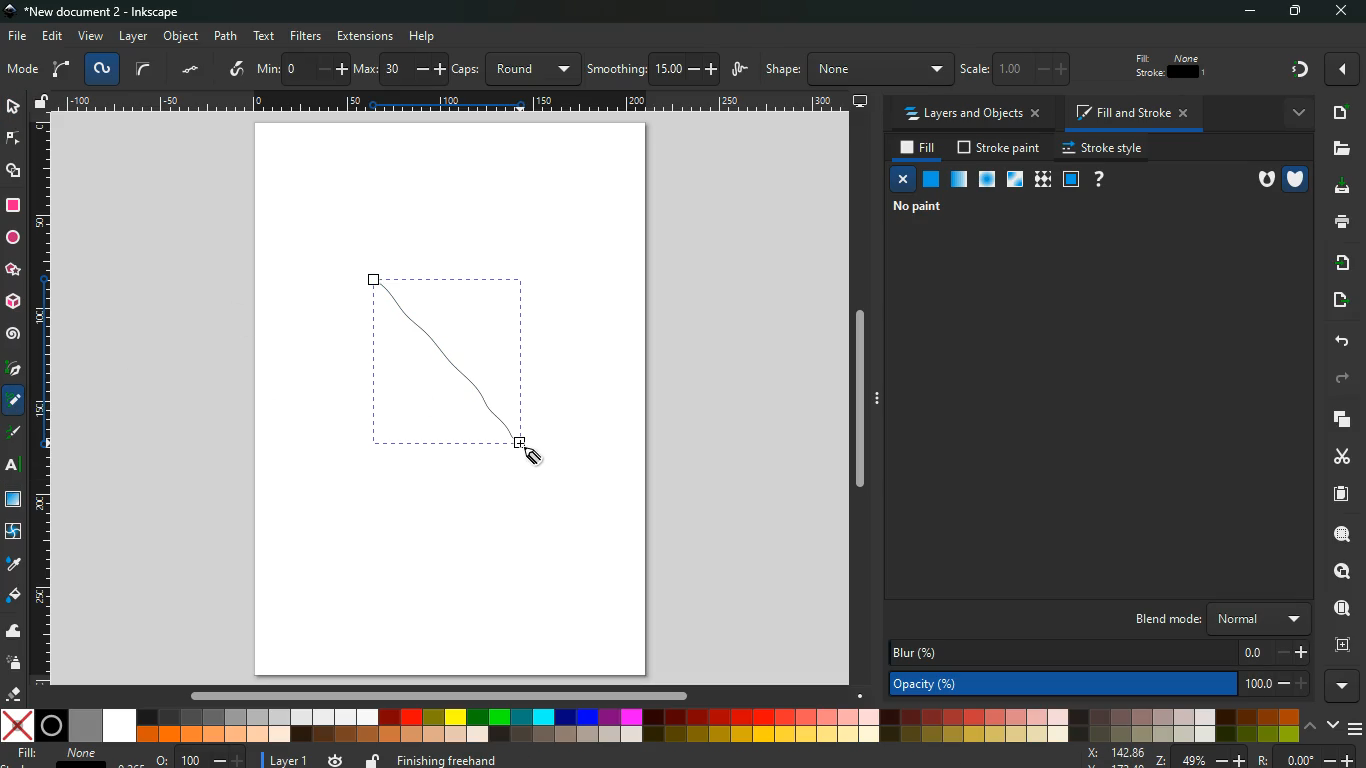 This screenshot has width=1366, height=768. I want to click on , so click(12, 466).